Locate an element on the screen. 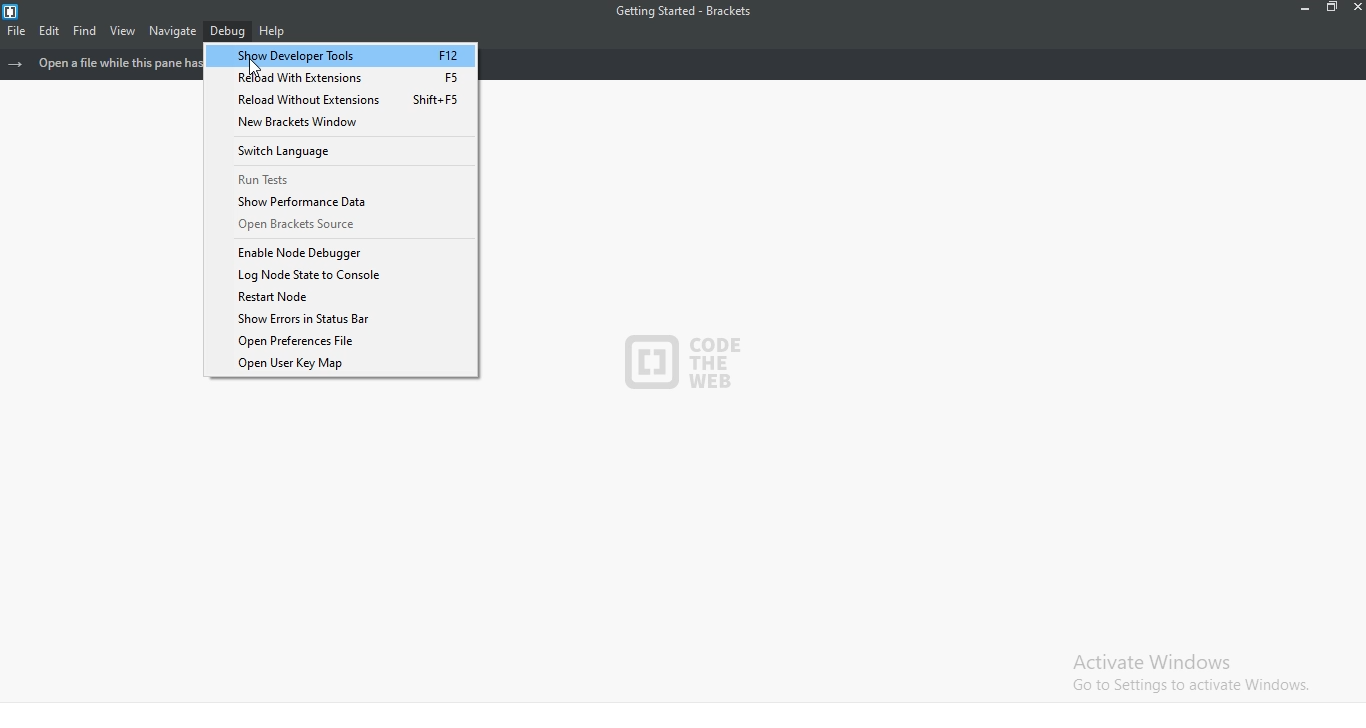 The width and height of the screenshot is (1366, 728). Restart node is located at coordinates (340, 297).